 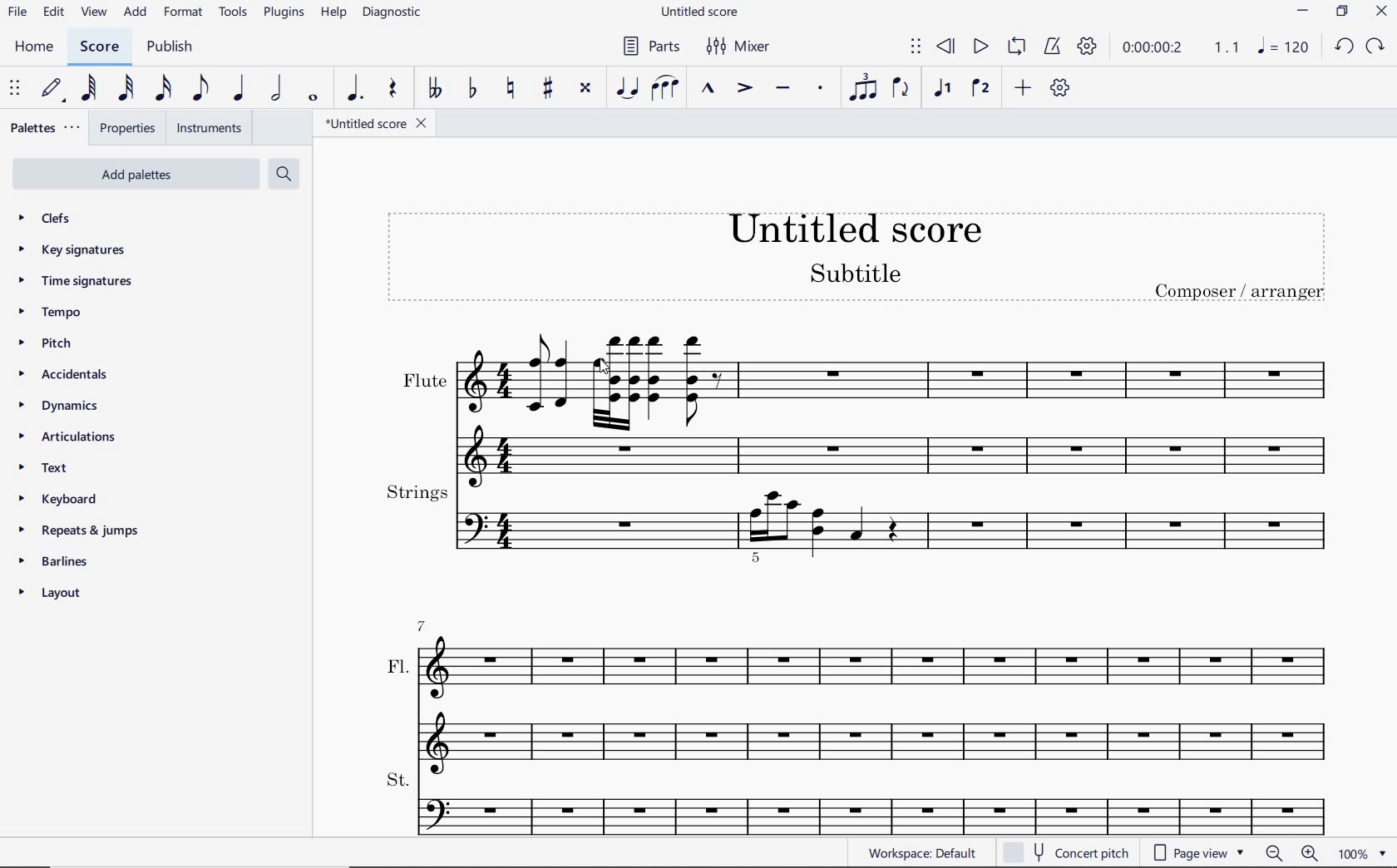 I want to click on Fl., so click(x=870, y=688).